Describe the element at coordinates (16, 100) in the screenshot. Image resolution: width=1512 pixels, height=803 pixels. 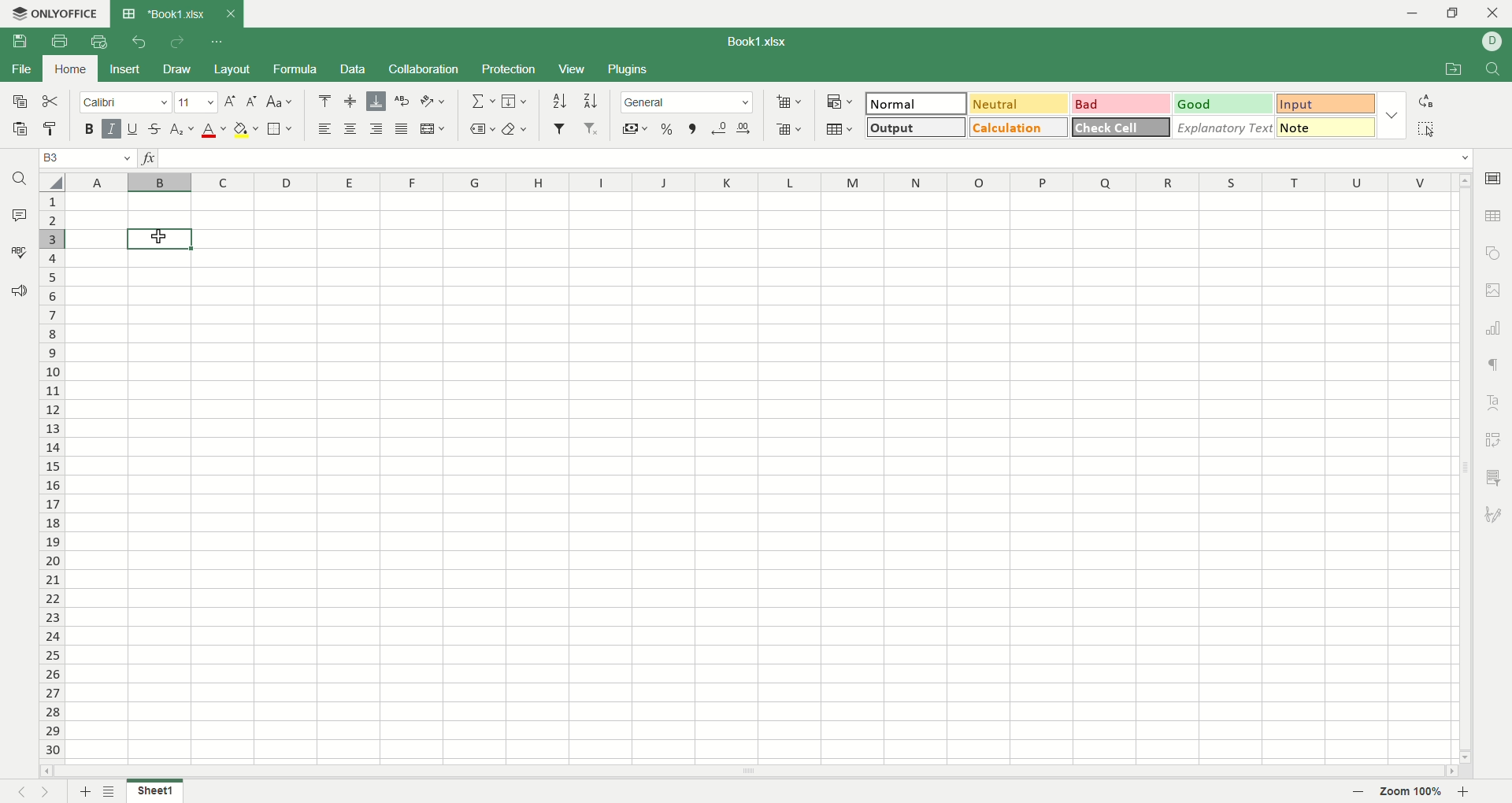
I see `copy` at that location.